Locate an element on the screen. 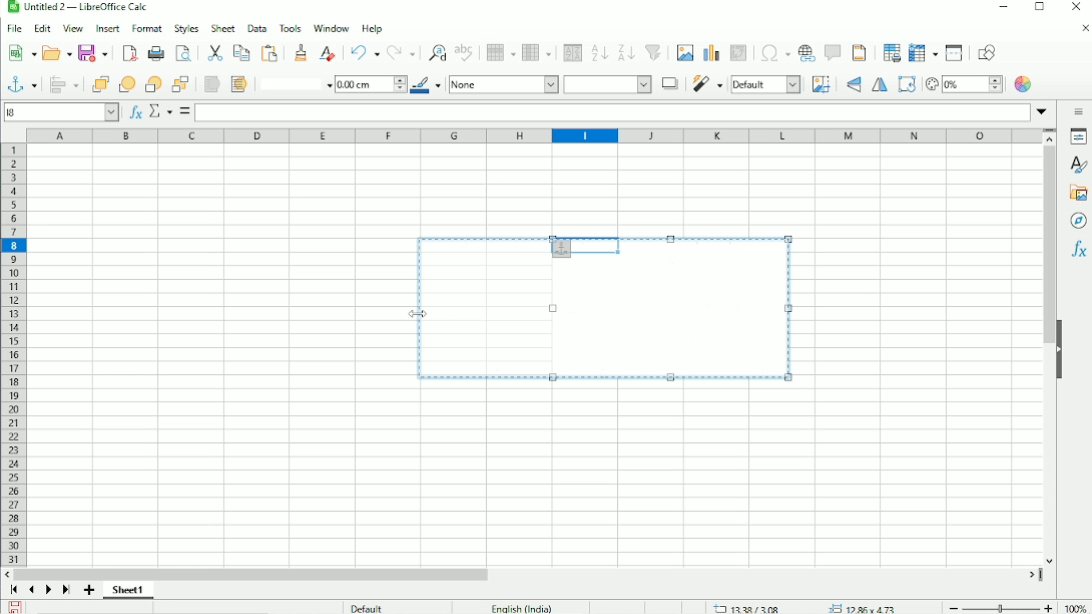 The width and height of the screenshot is (1092, 614). Format is located at coordinates (148, 29).